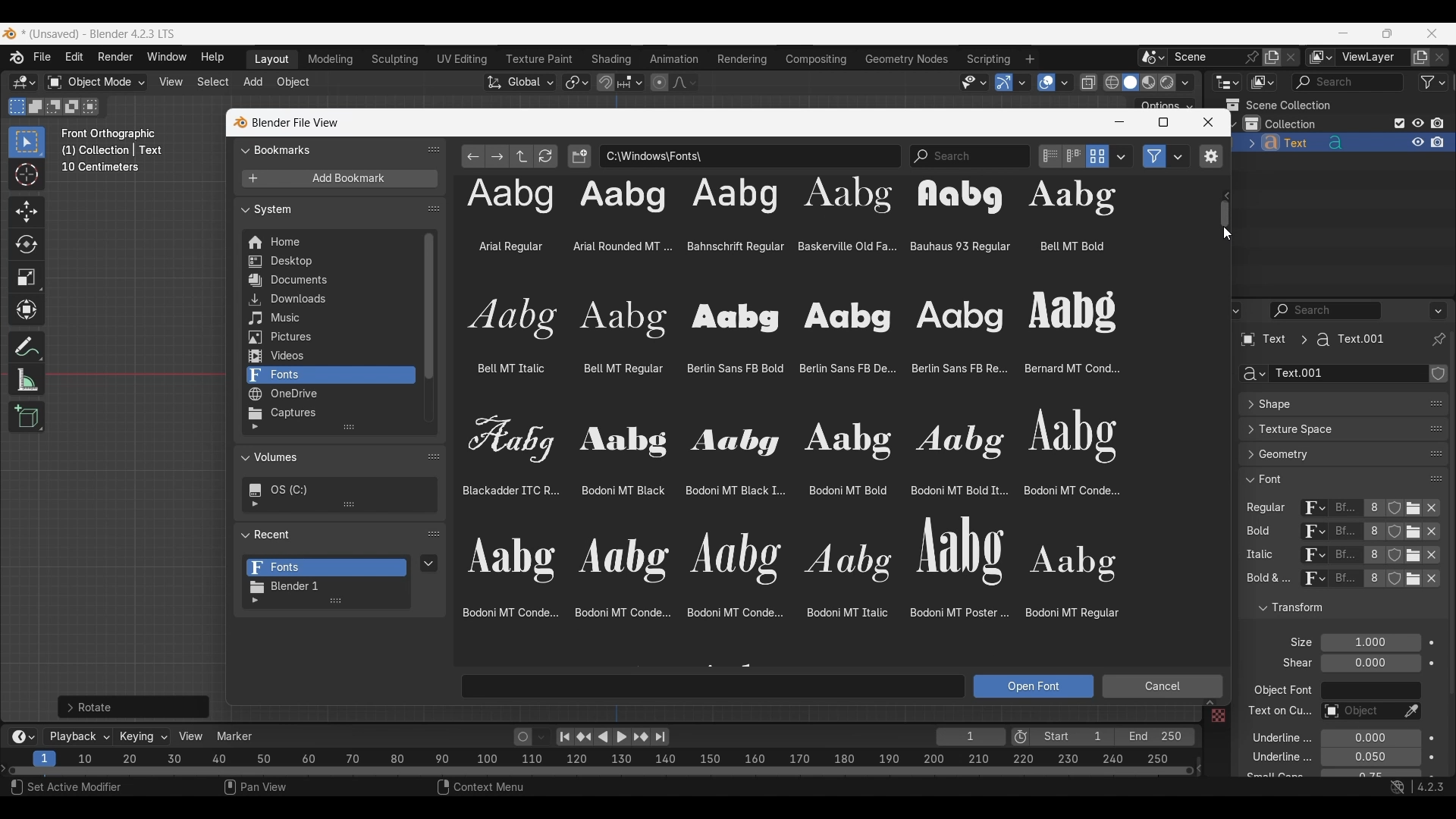 The height and width of the screenshot is (819, 1456). I want to click on Create new directory, so click(579, 156).